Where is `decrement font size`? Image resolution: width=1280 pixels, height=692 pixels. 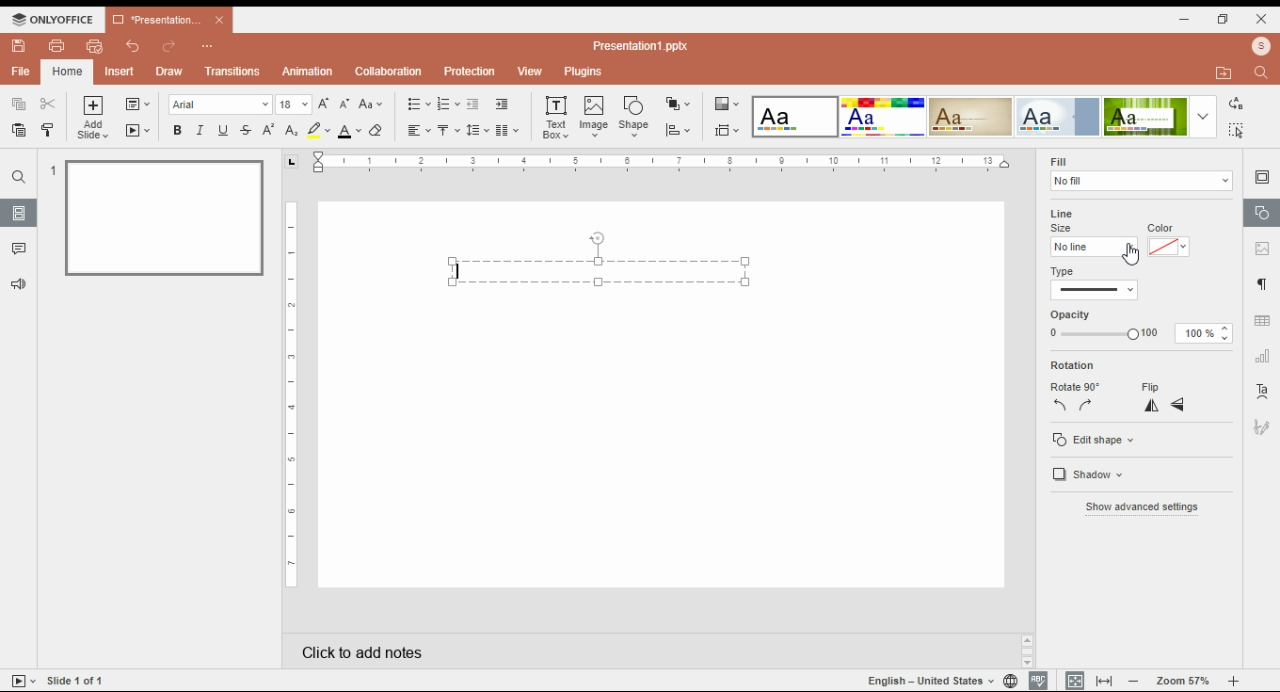 decrement font size is located at coordinates (345, 103).